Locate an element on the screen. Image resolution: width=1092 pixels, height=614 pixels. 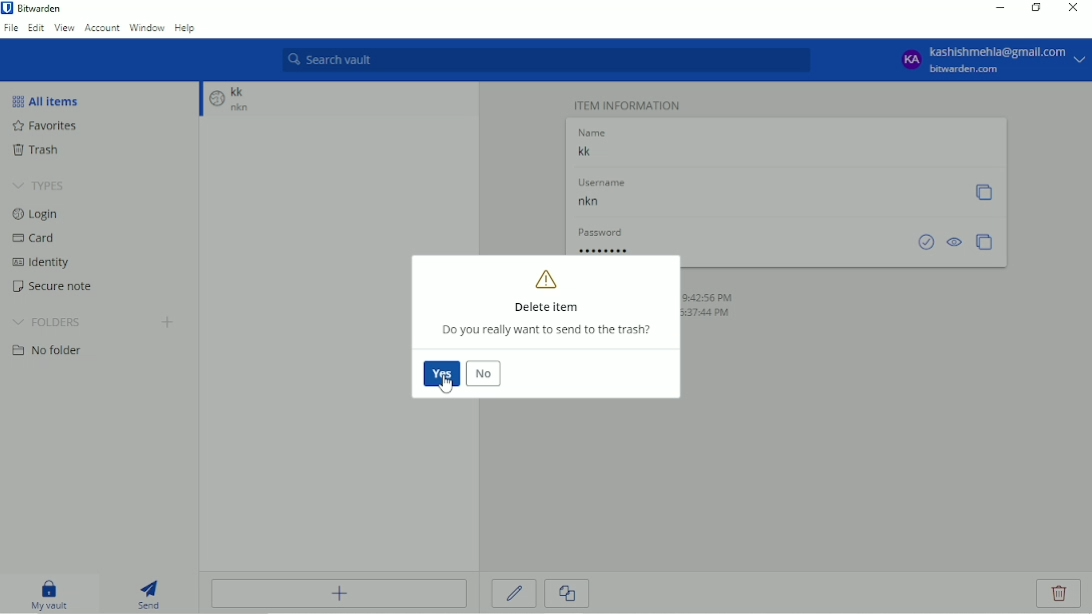
Help is located at coordinates (184, 29).